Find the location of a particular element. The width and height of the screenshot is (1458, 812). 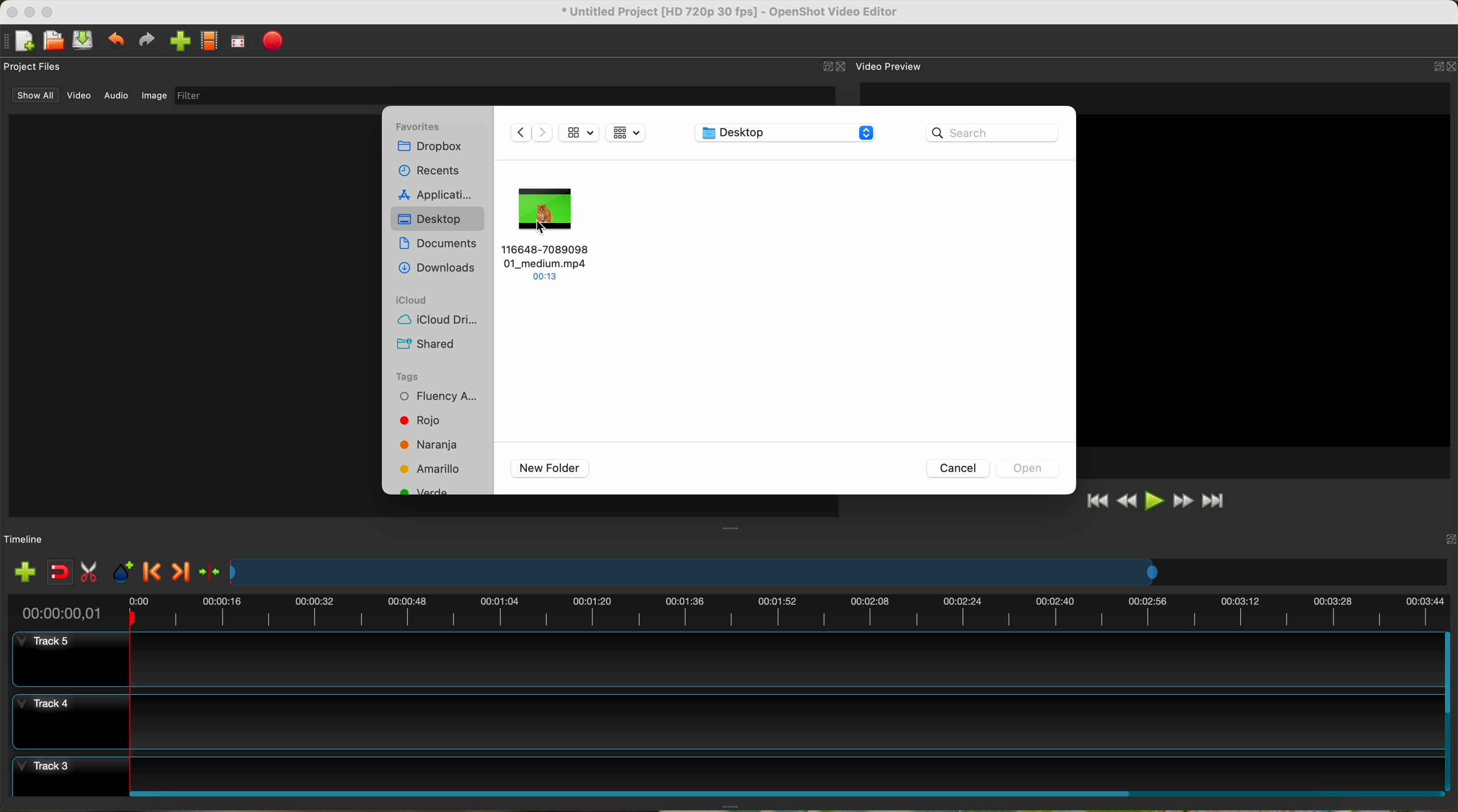

scroll bar is located at coordinates (1449, 711).